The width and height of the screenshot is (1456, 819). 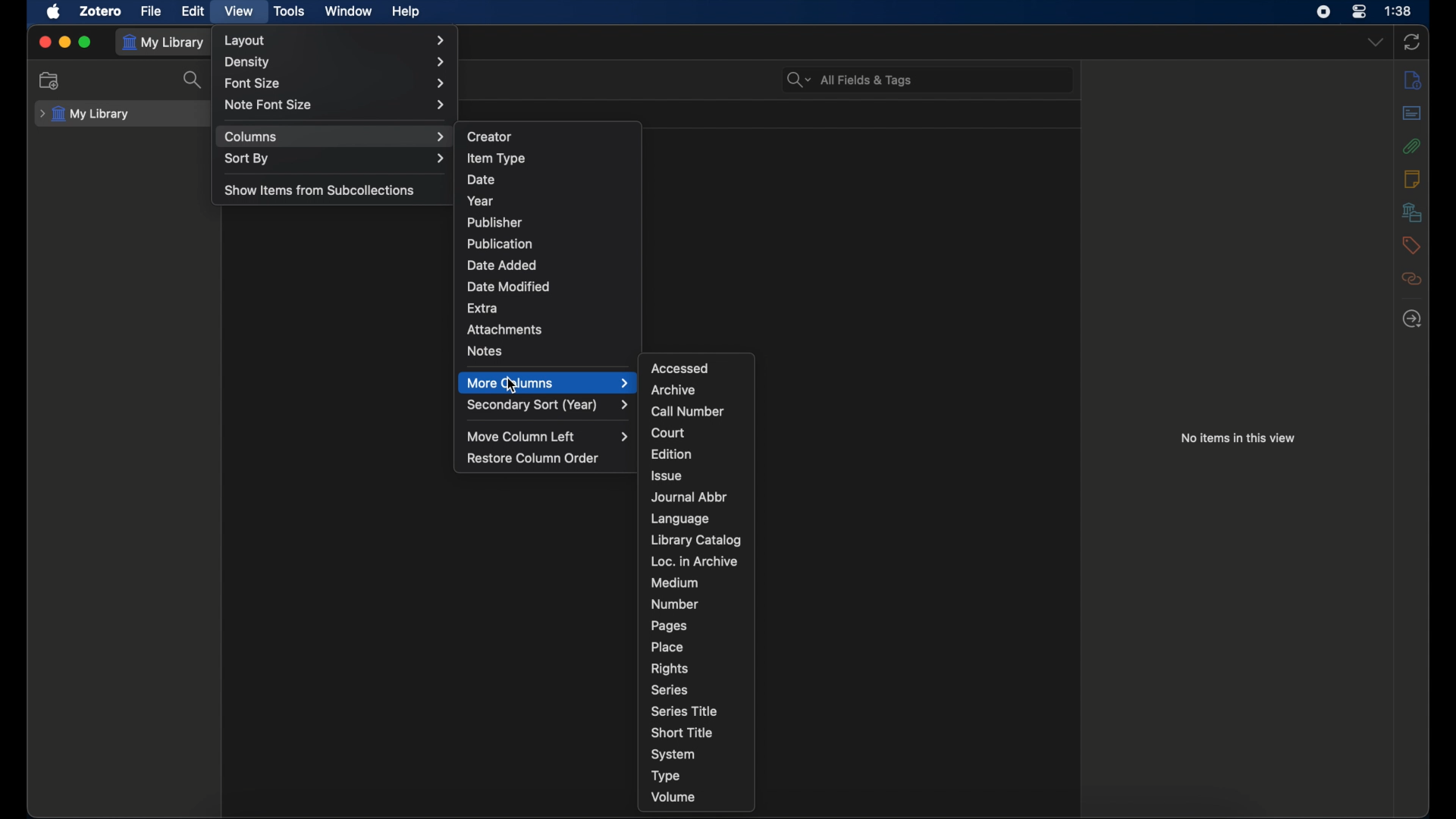 I want to click on type, so click(x=665, y=776).